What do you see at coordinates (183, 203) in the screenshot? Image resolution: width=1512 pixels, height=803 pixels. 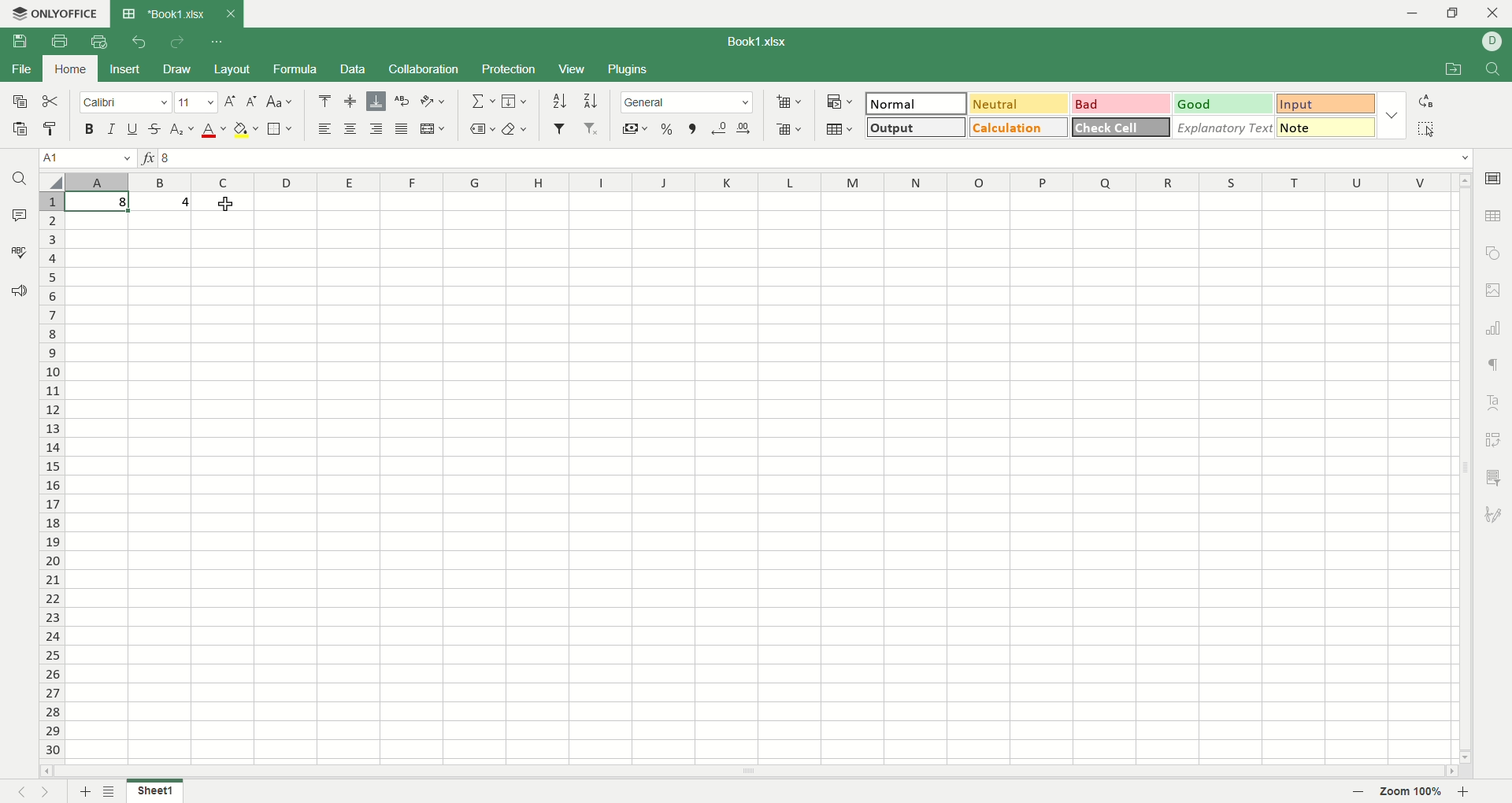 I see `4` at bounding box center [183, 203].